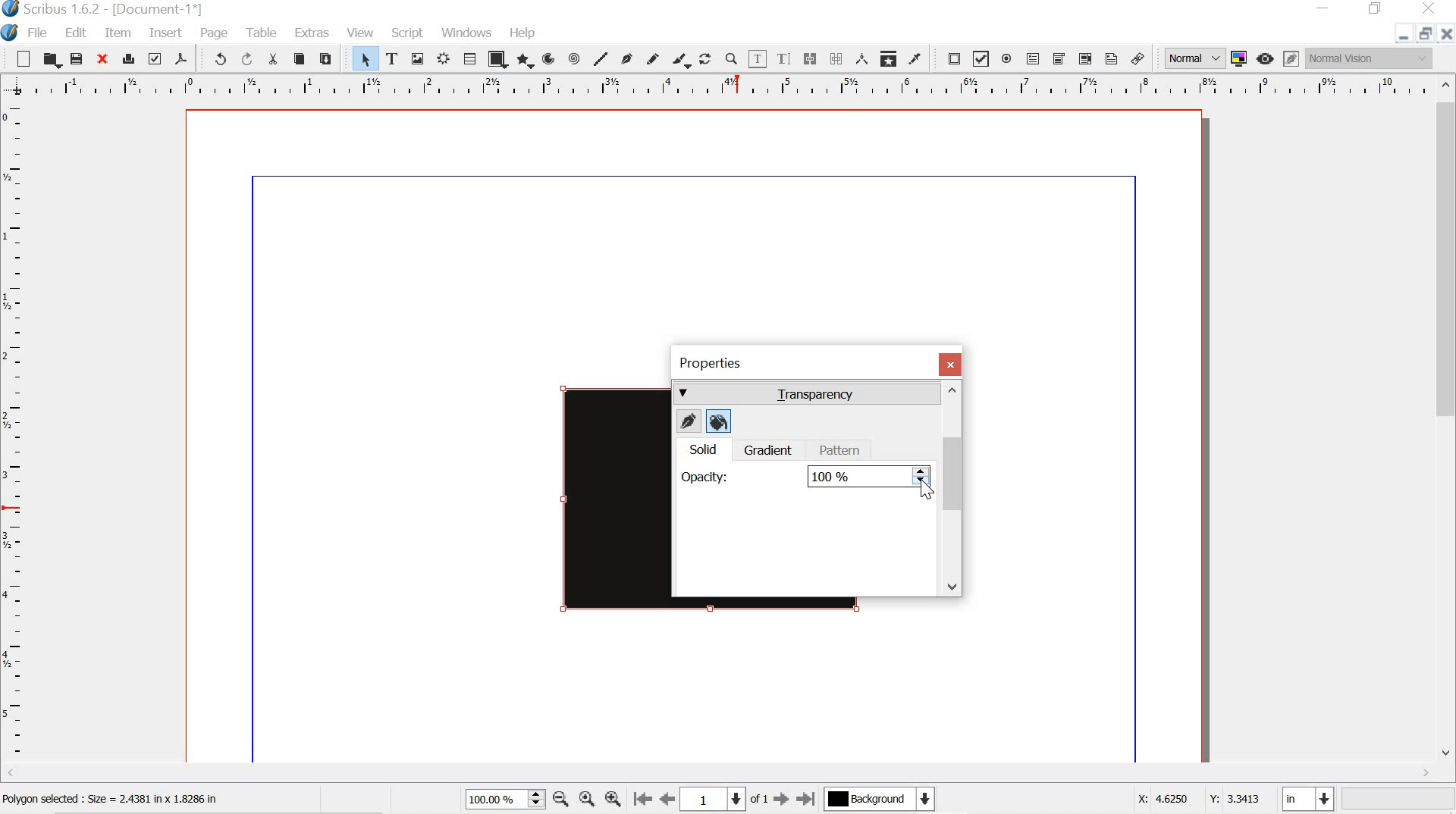  What do you see at coordinates (77, 60) in the screenshot?
I see `save` at bounding box center [77, 60].